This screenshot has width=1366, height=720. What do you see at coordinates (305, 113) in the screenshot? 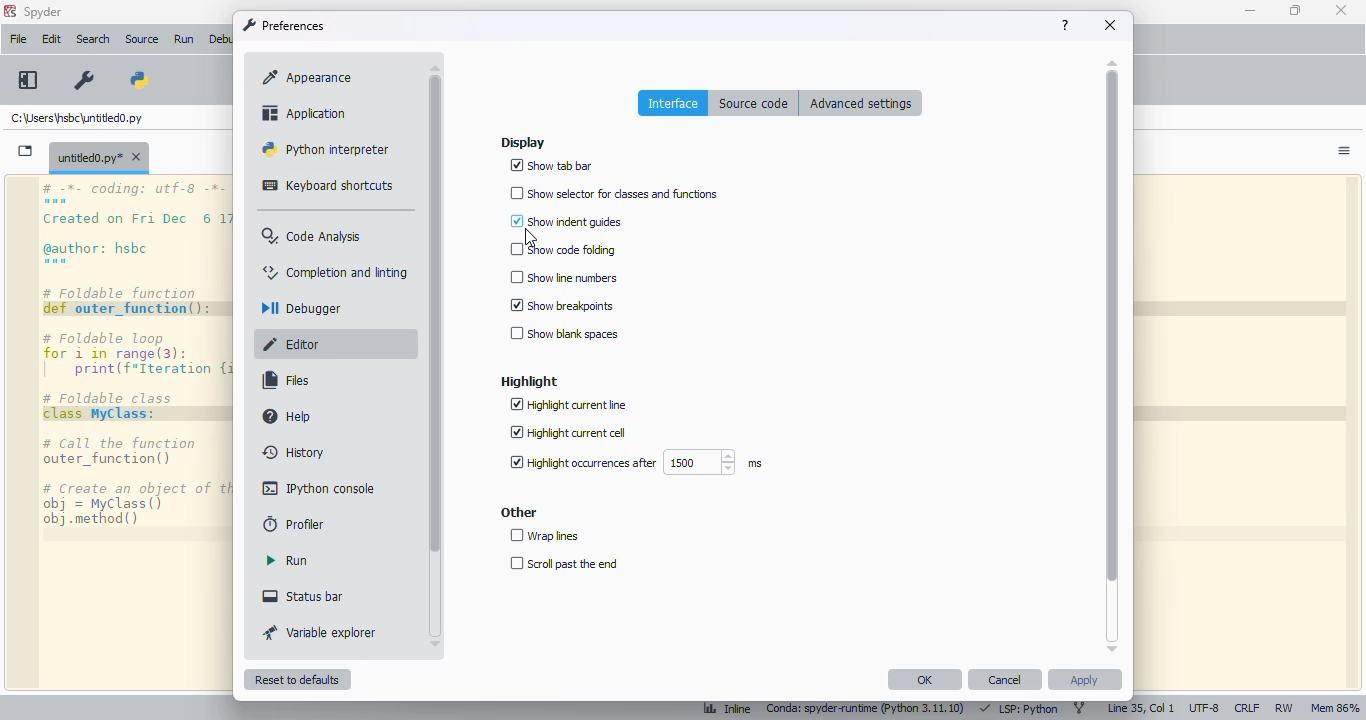
I see `application` at bounding box center [305, 113].